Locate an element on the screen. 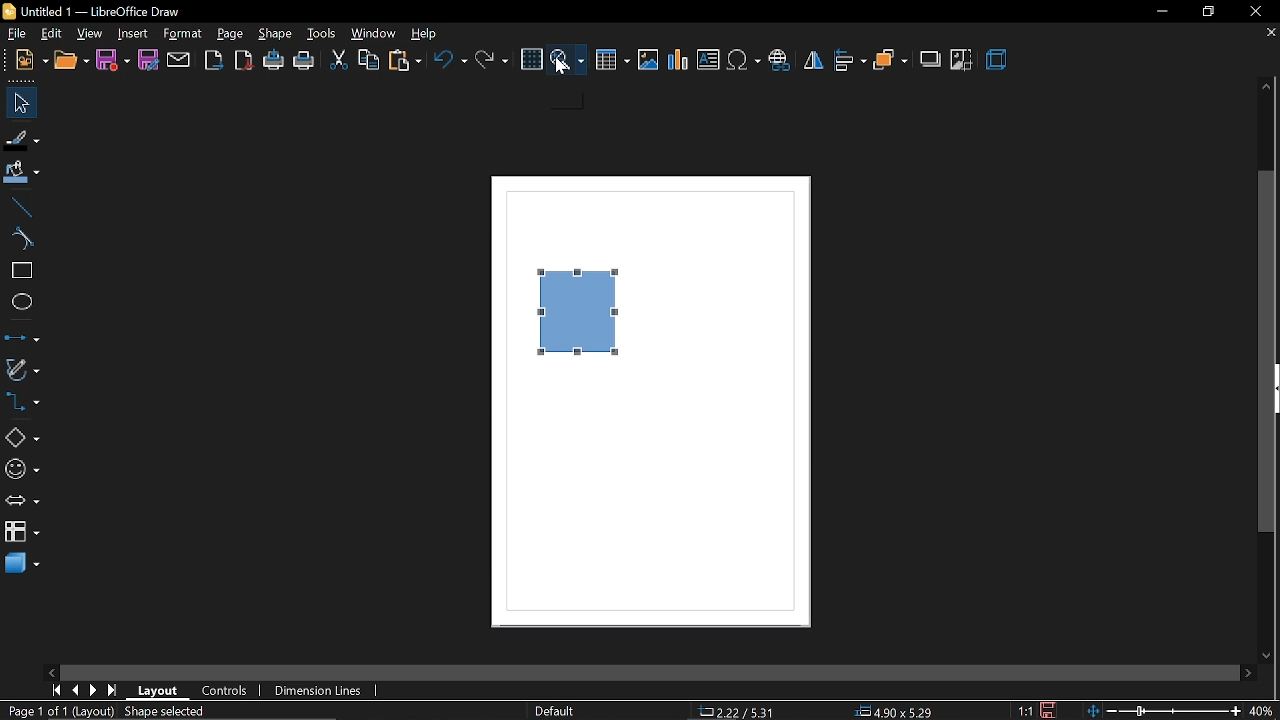 The height and width of the screenshot is (720, 1280). 3d effect is located at coordinates (998, 61).